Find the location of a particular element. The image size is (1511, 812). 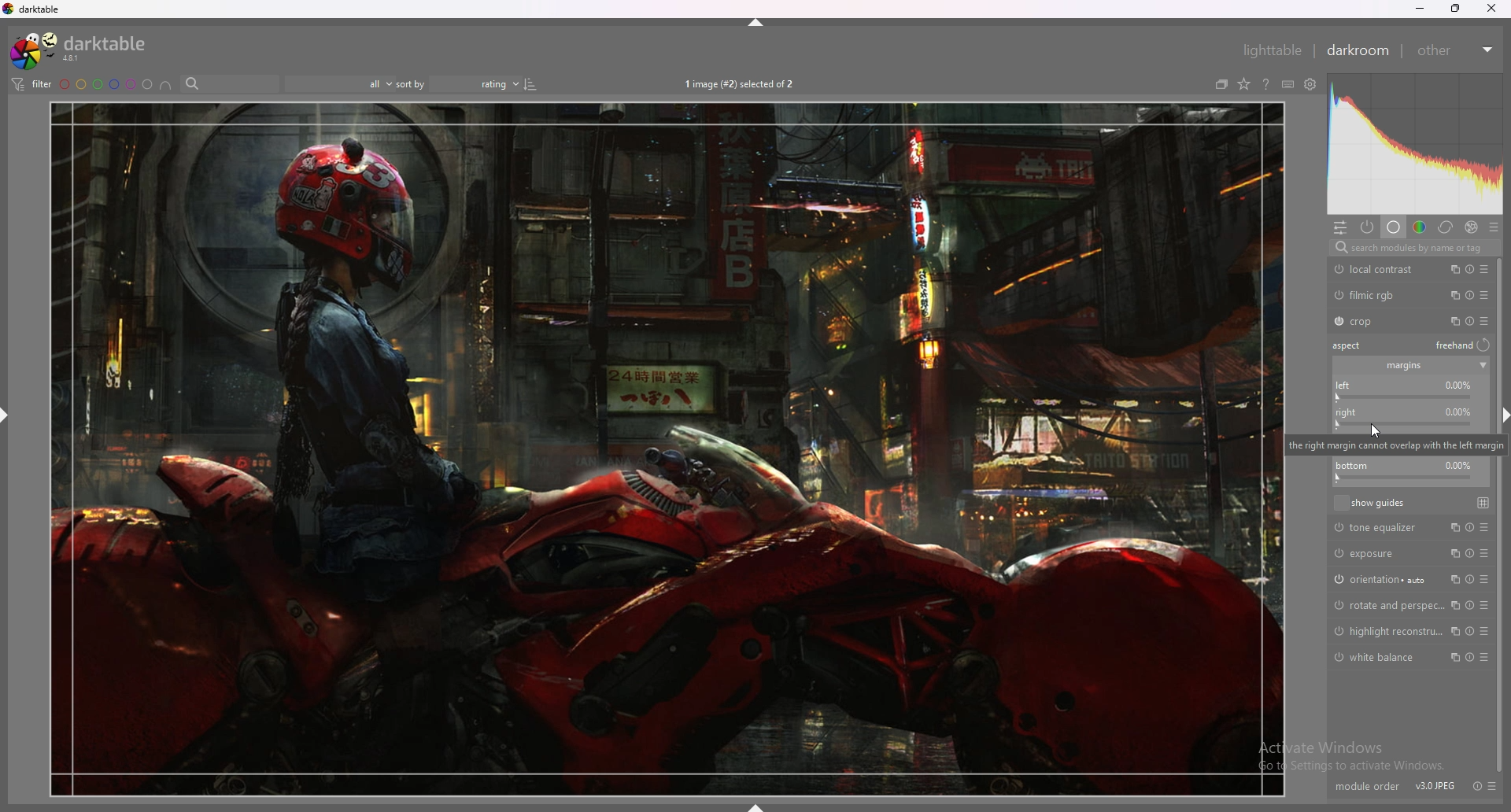

right is located at coordinates (1403, 418).